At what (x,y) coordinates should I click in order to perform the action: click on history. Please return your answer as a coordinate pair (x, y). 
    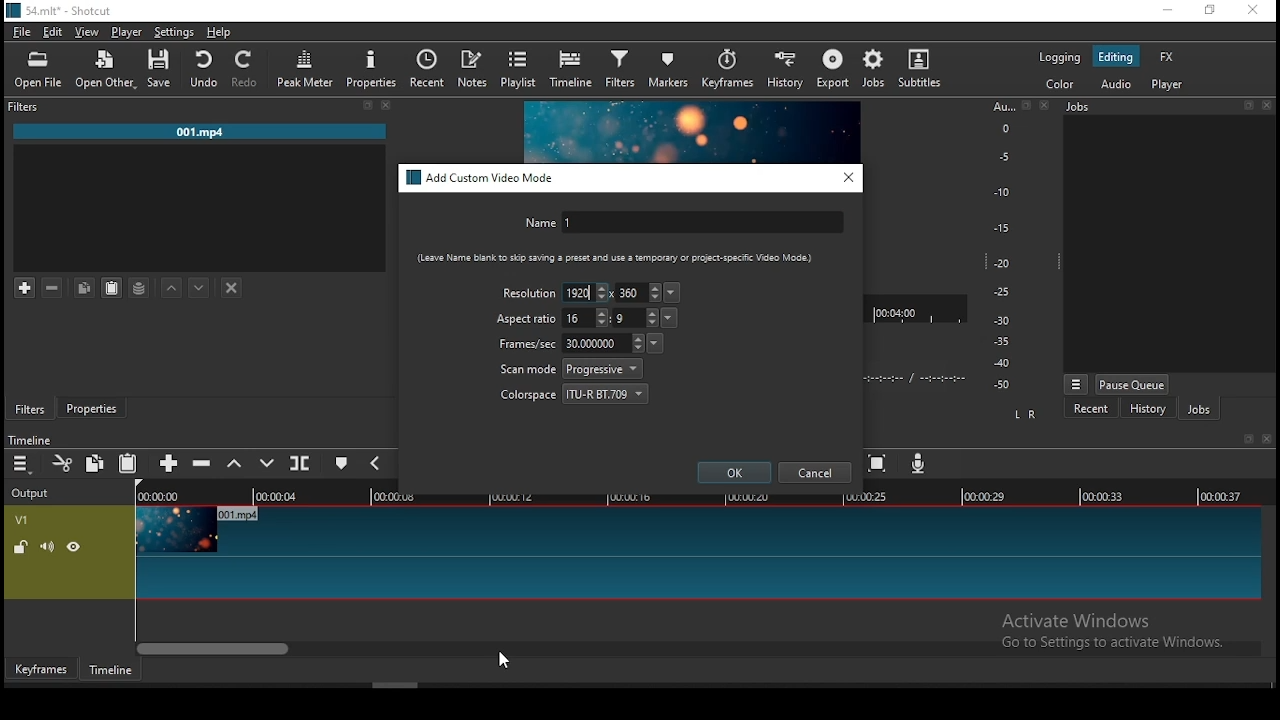
    Looking at the image, I should click on (1147, 411).